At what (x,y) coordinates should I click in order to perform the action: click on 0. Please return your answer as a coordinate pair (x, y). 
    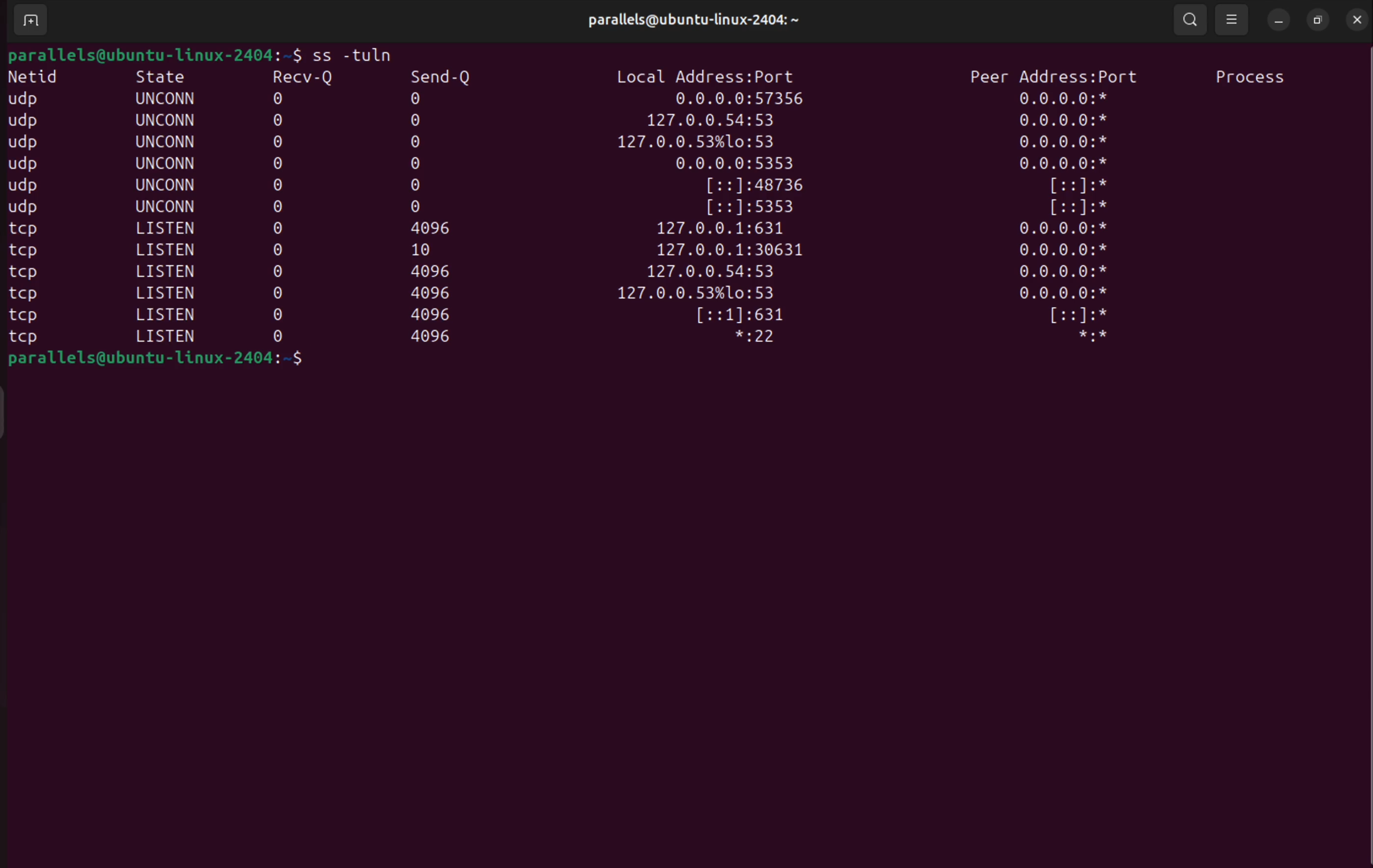
    Looking at the image, I should click on (278, 317).